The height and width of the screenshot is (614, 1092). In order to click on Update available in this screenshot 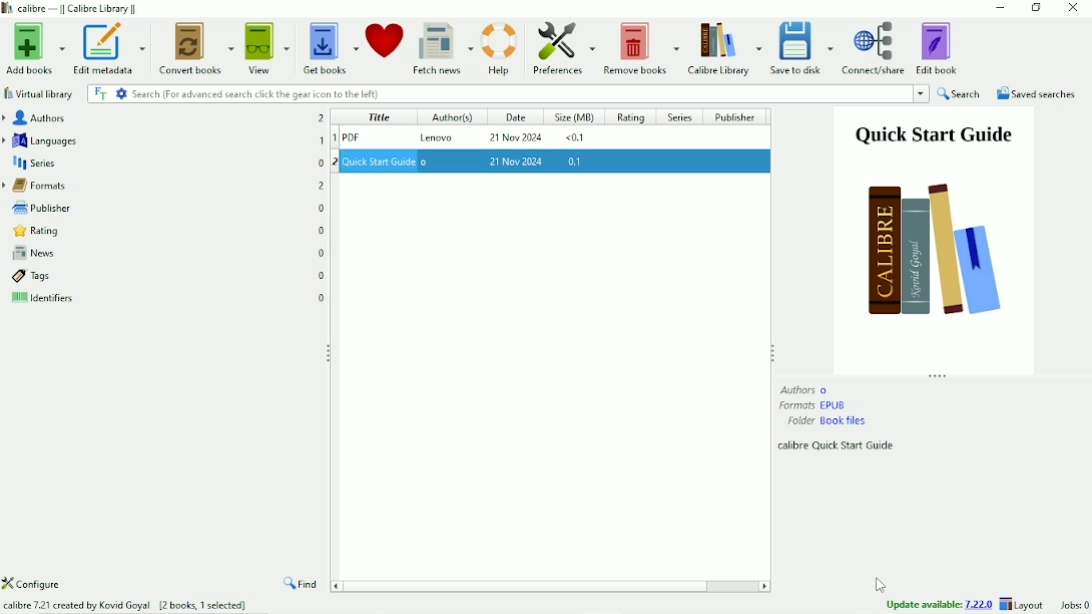, I will do `click(939, 604)`.